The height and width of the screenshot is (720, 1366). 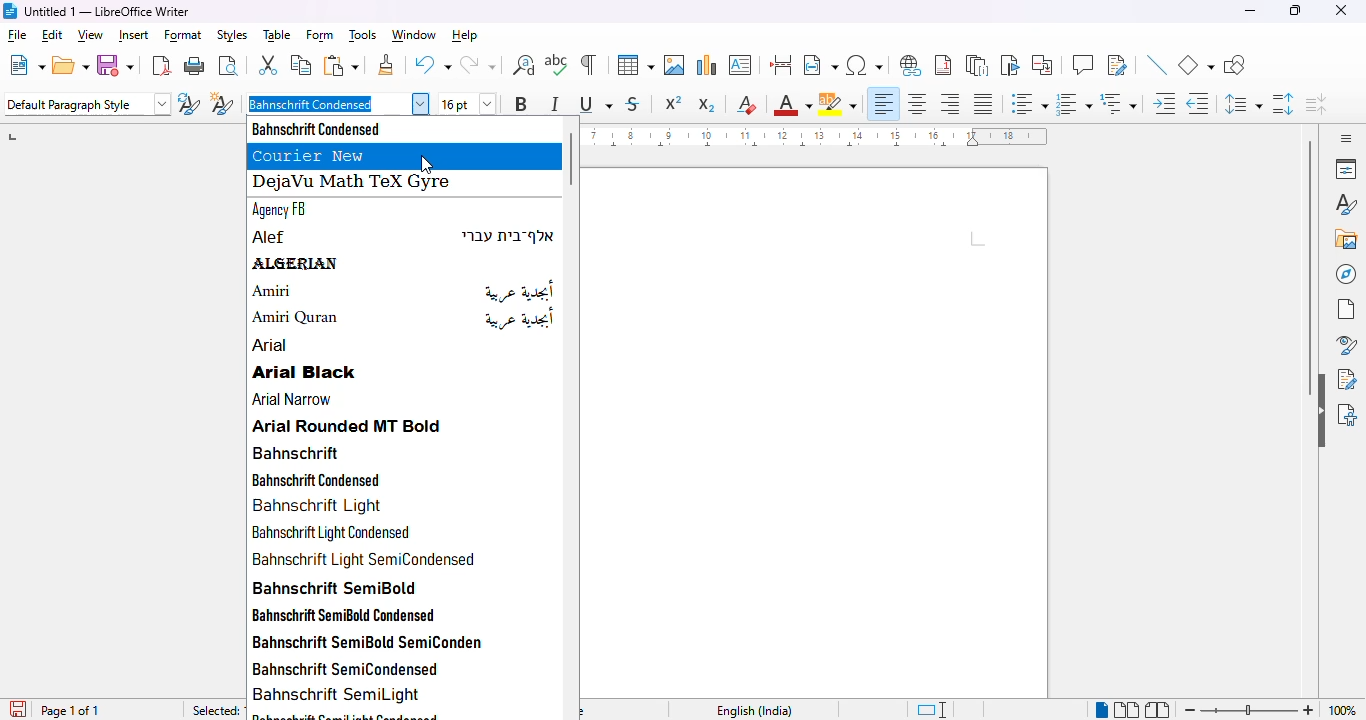 What do you see at coordinates (1343, 710) in the screenshot?
I see `zoom factor` at bounding box center [1343, 710].